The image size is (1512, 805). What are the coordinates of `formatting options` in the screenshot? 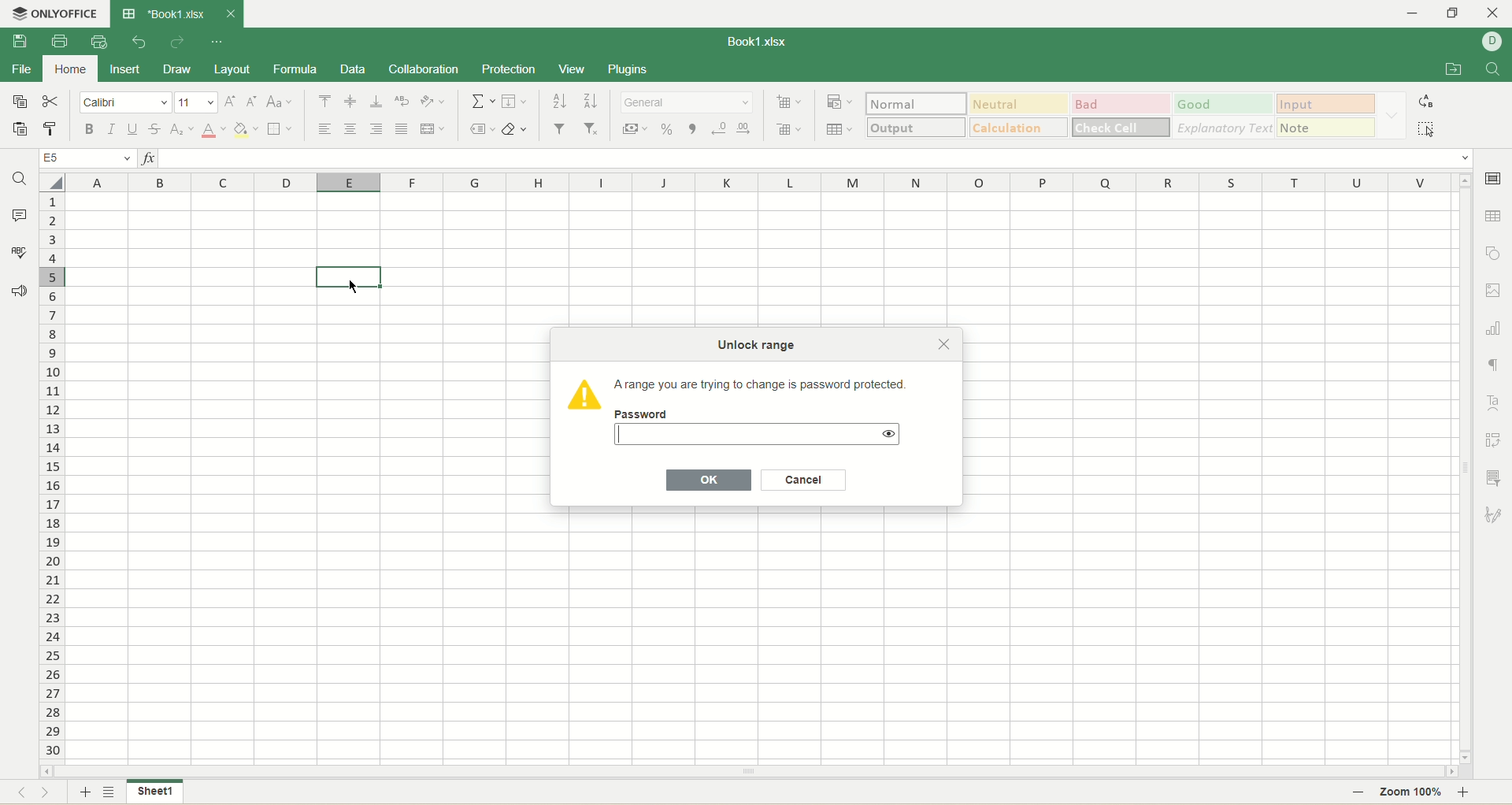 It's located at (1393, 116).